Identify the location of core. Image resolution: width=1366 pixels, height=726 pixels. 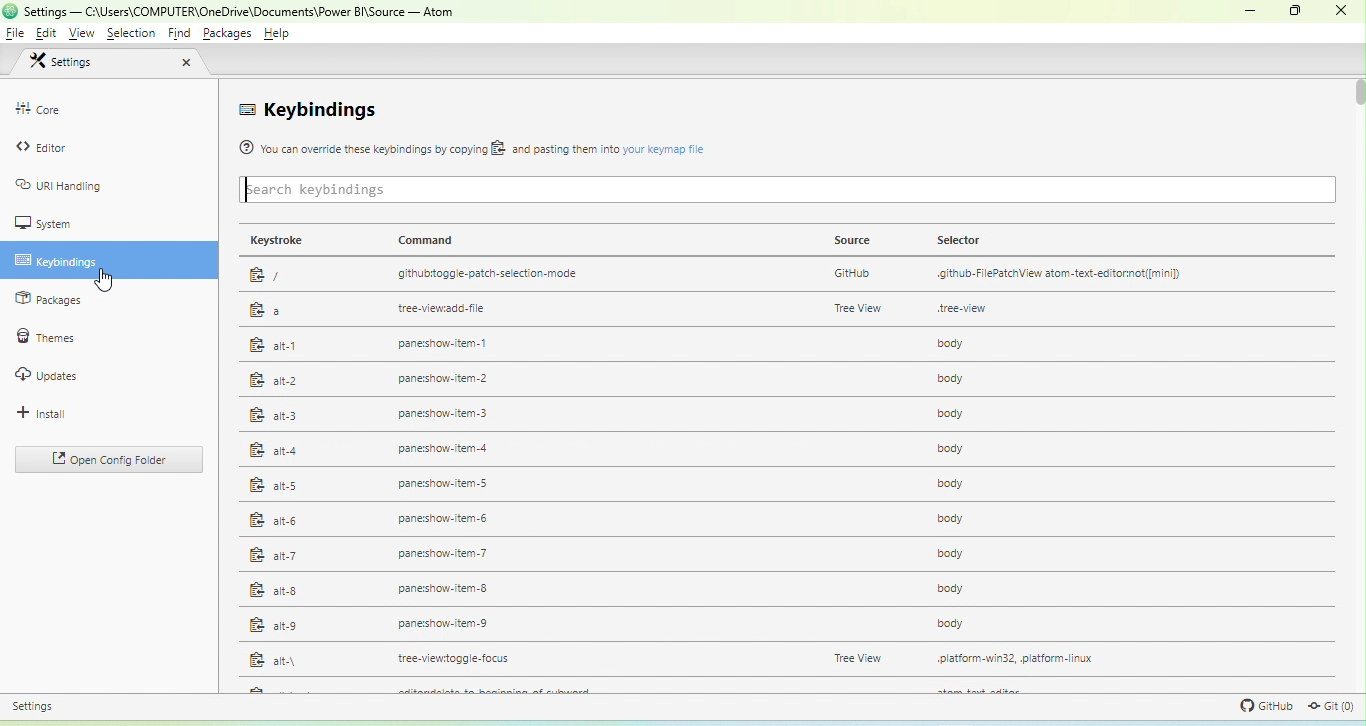
(41, 109).